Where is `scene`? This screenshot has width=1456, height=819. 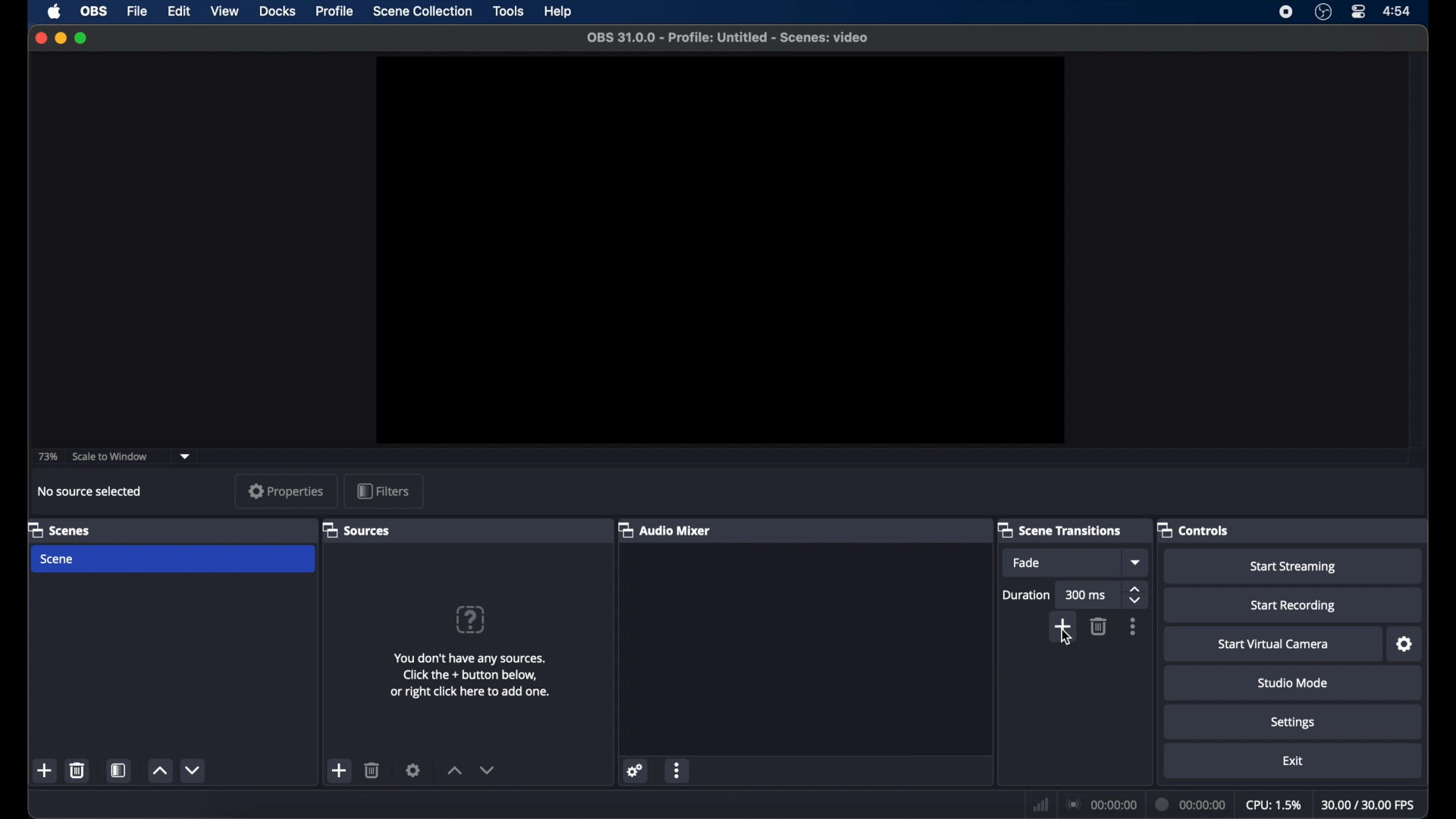 scene is located at coordinates (58, 560).